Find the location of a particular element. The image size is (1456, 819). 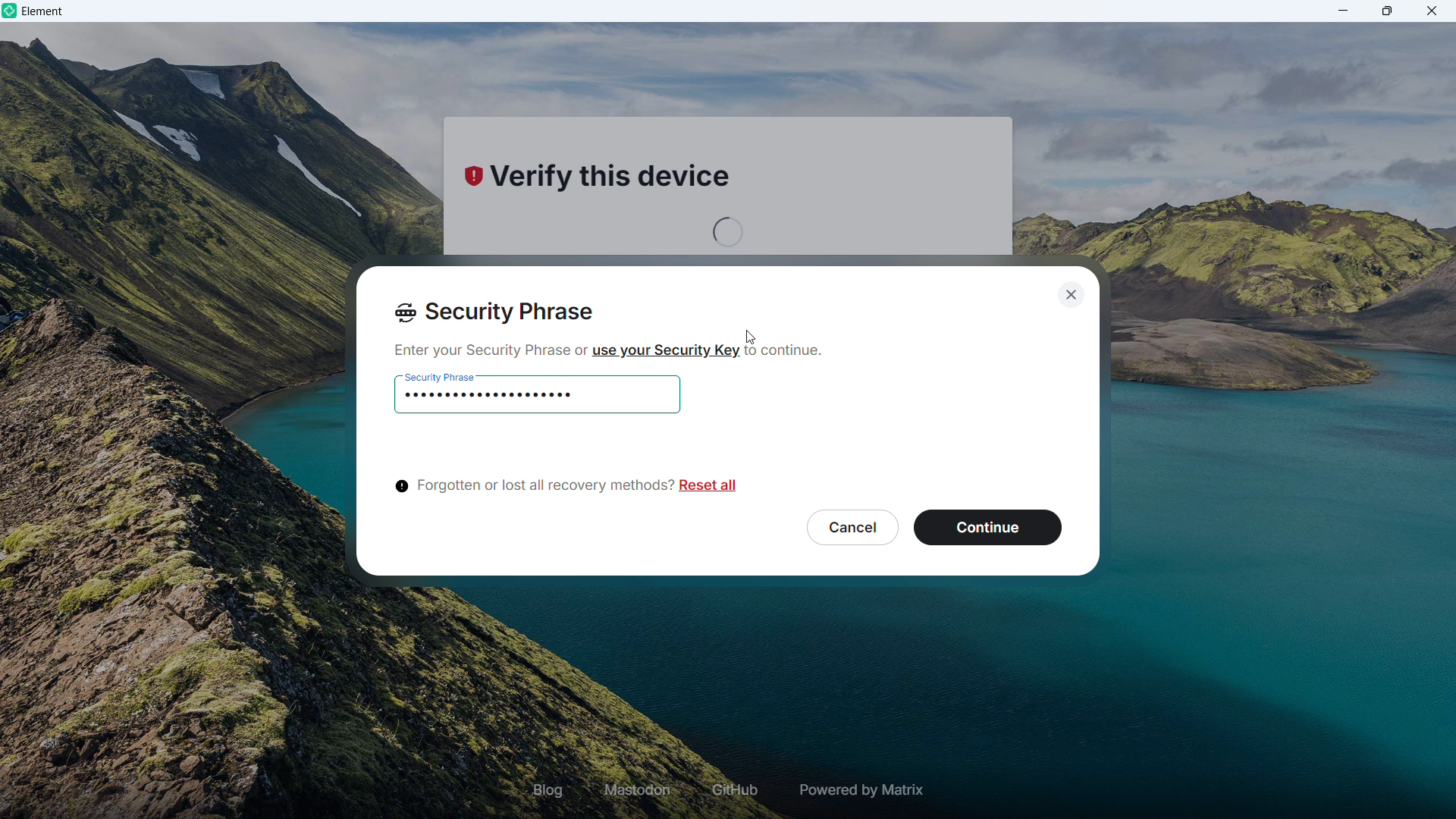

Reset all  is located at coordinates (711, 488).